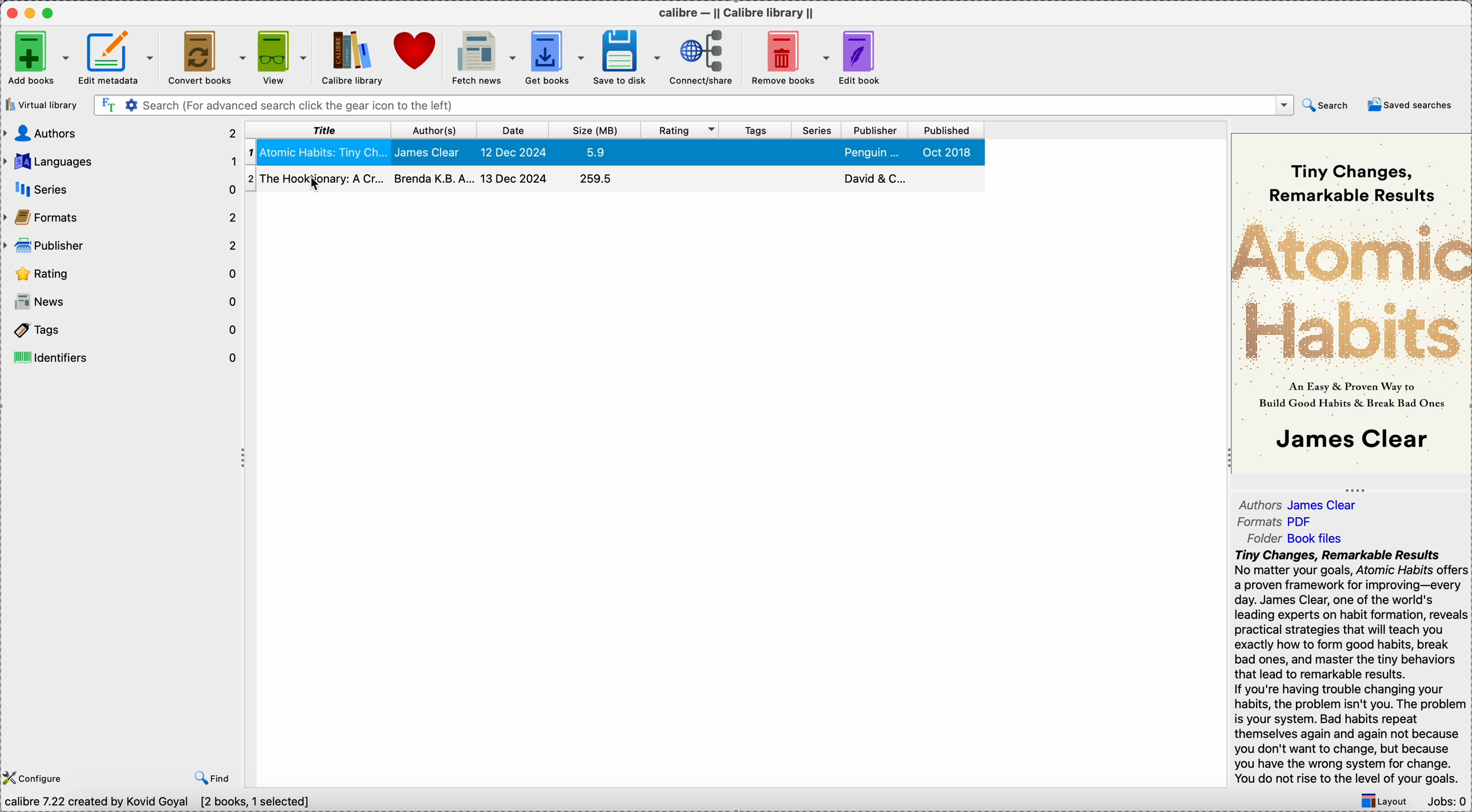 Image resolution: width=1472 pixels, height=812 pixels. I want to click on formats PDF, so click(1281, 523).